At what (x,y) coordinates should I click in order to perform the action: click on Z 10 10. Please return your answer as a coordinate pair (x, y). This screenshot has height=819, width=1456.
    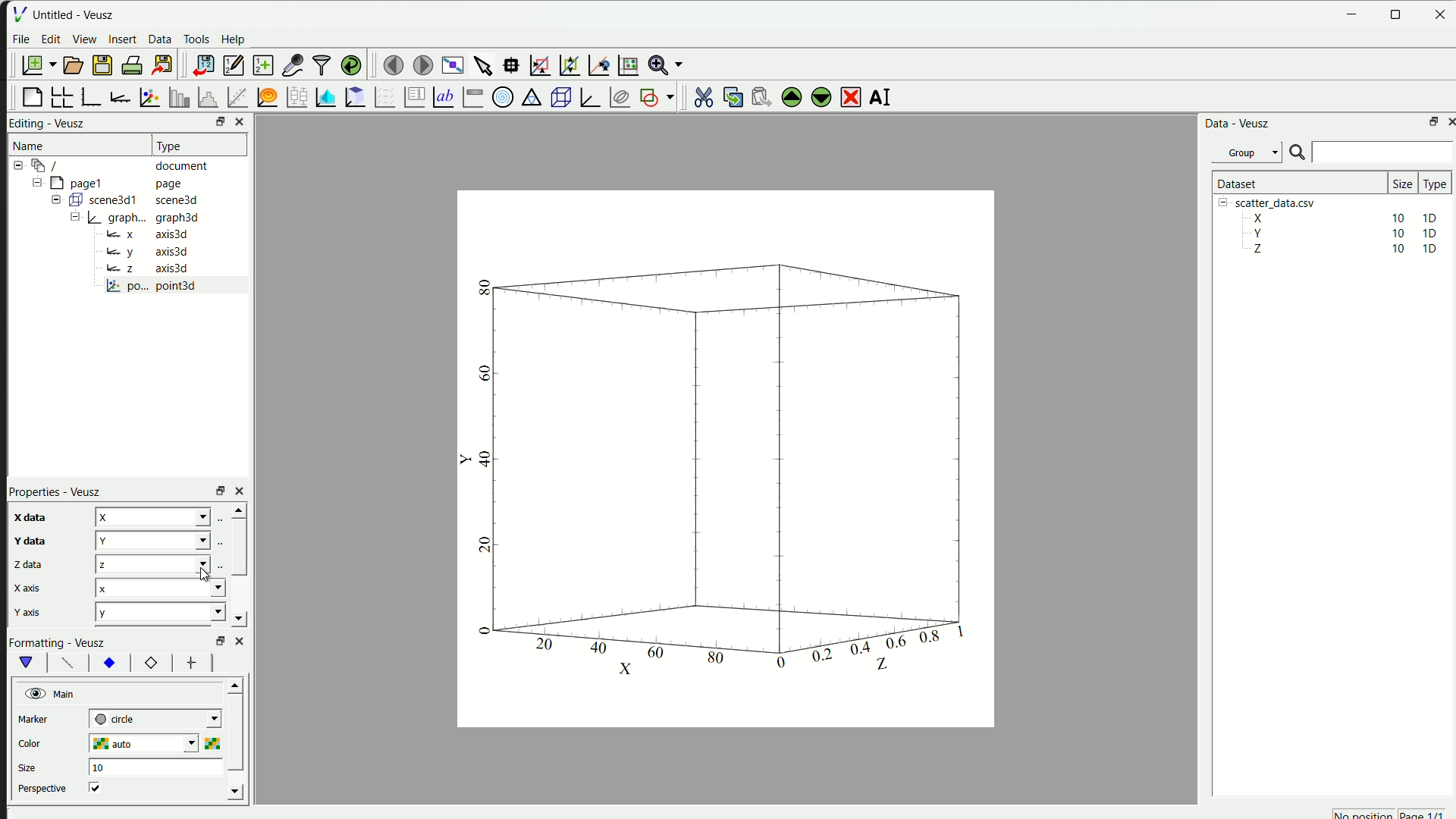
    Looking at the image, I should click on (1341, 250).